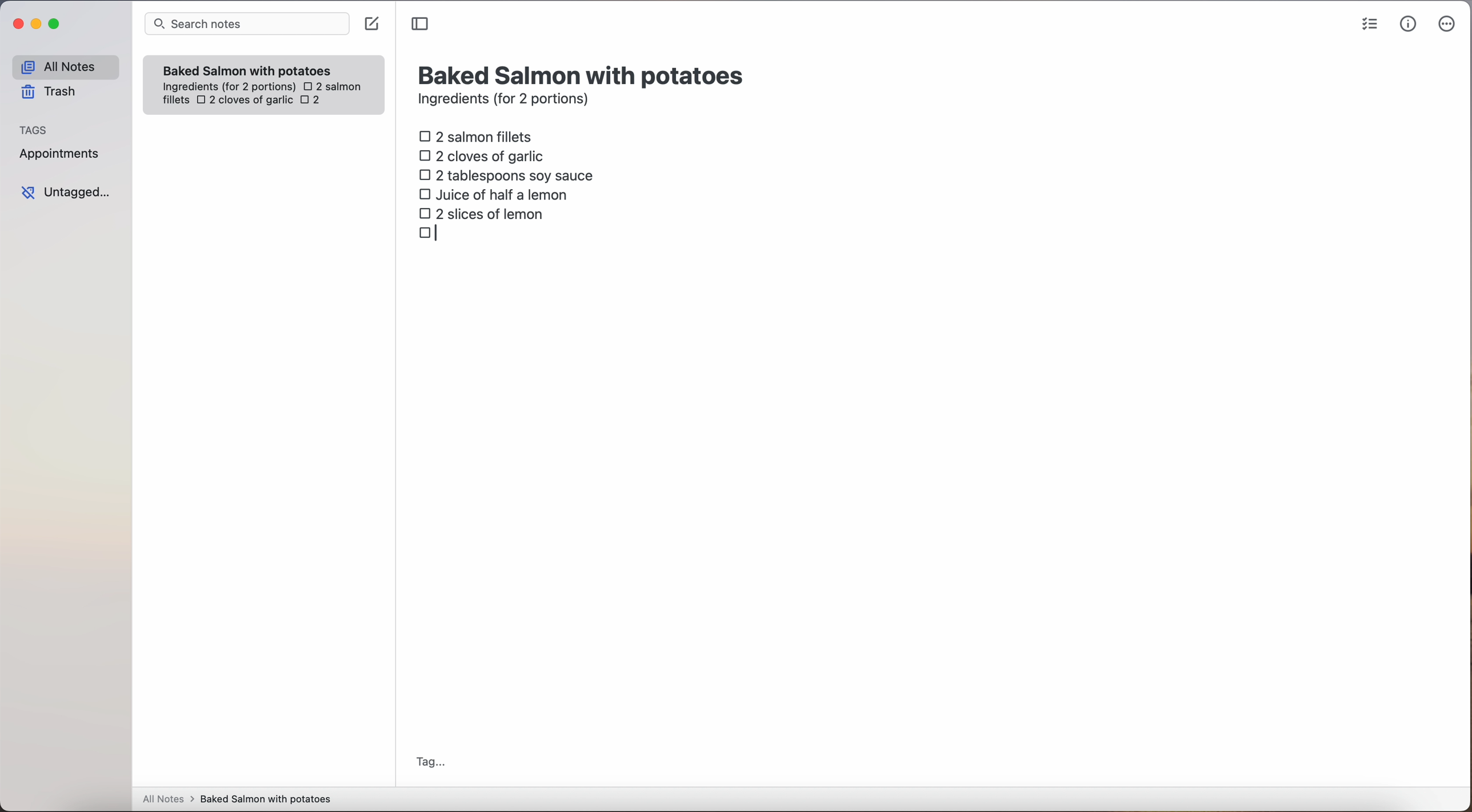 The height and width of the screenshot is (812, 1472). Describe the element at coordinates (485, 154) in the screenshot. I see `2 cloves of garlic` at that location.